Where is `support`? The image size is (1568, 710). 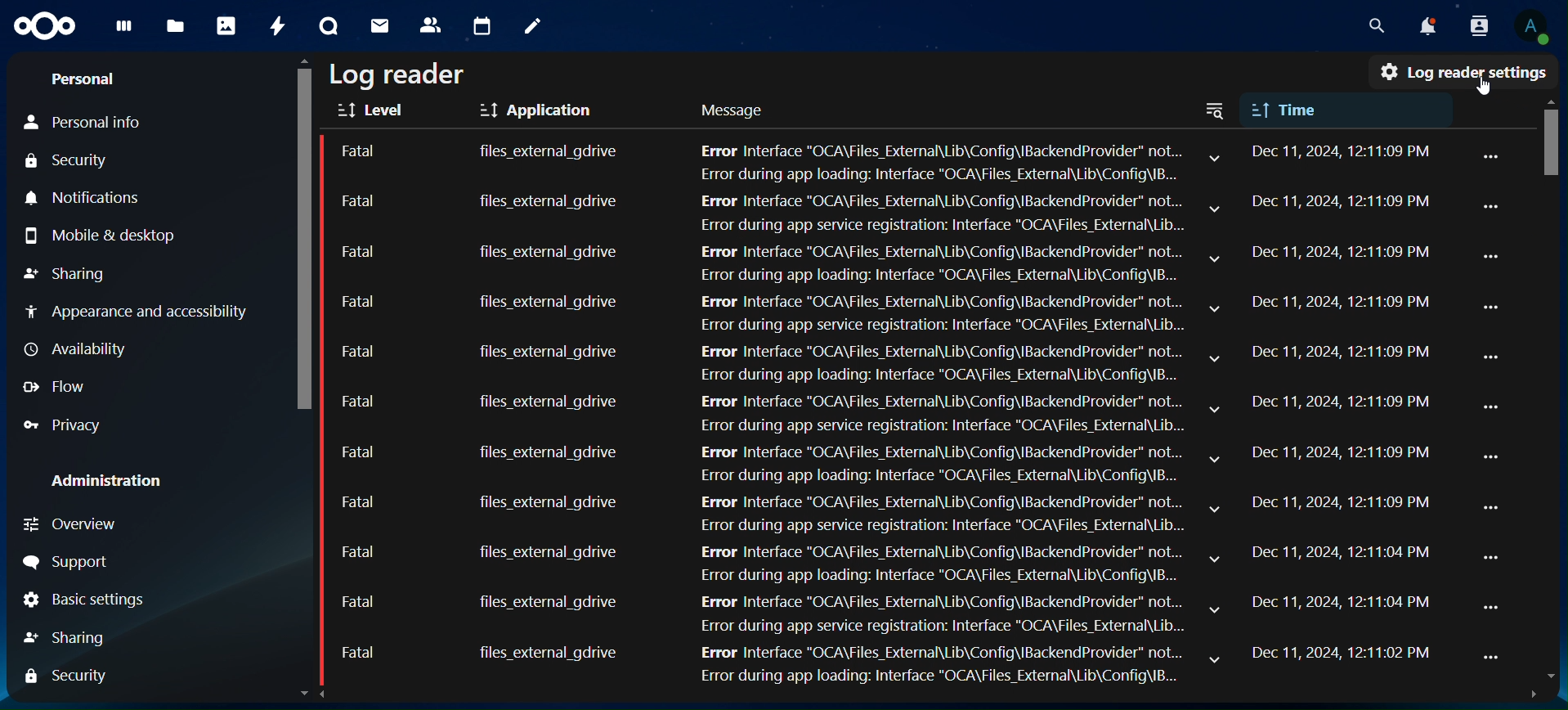 support is located at coordinates (65, 561).